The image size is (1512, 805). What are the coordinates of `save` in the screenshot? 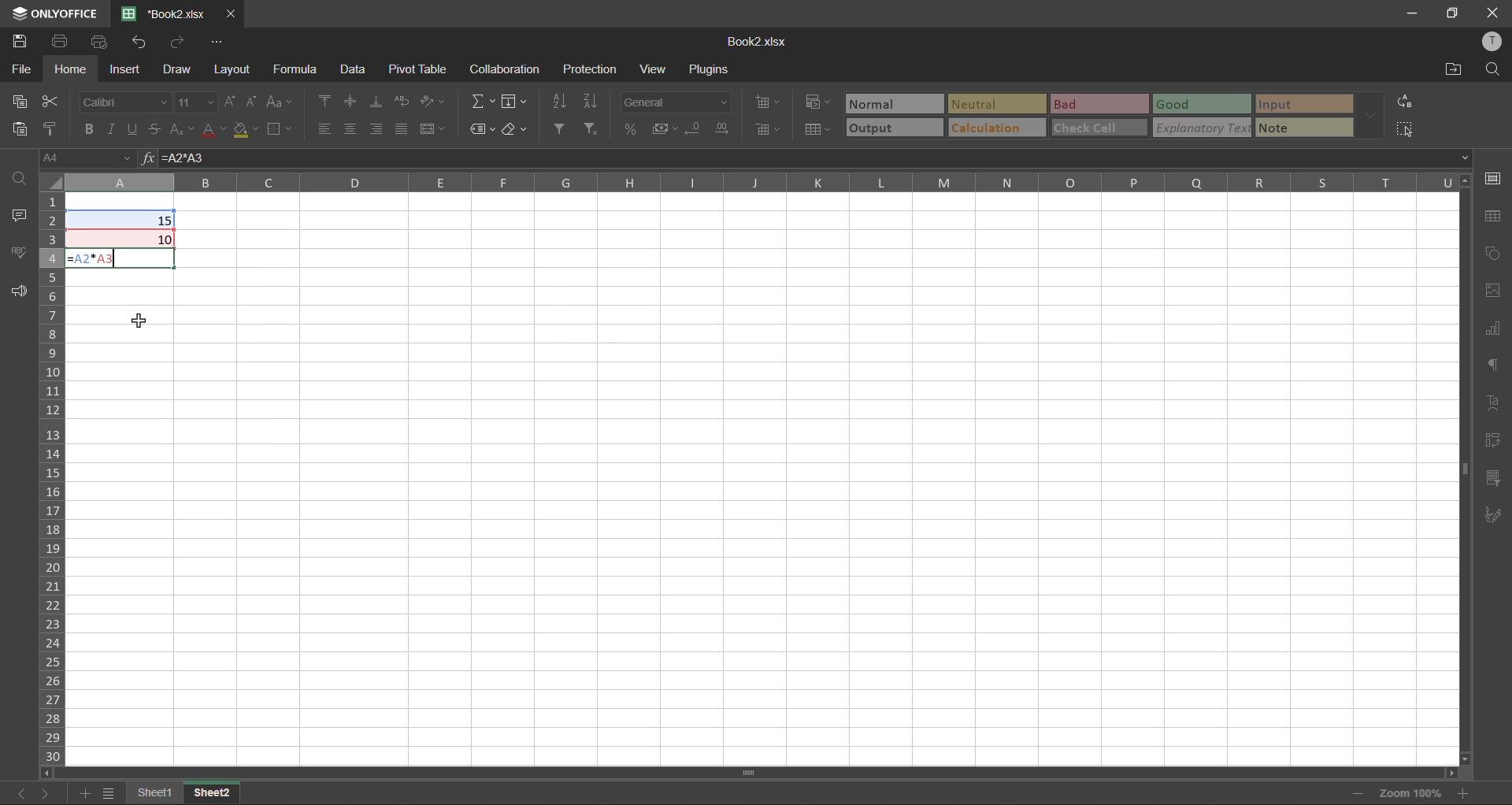 It's located at (19, 37).